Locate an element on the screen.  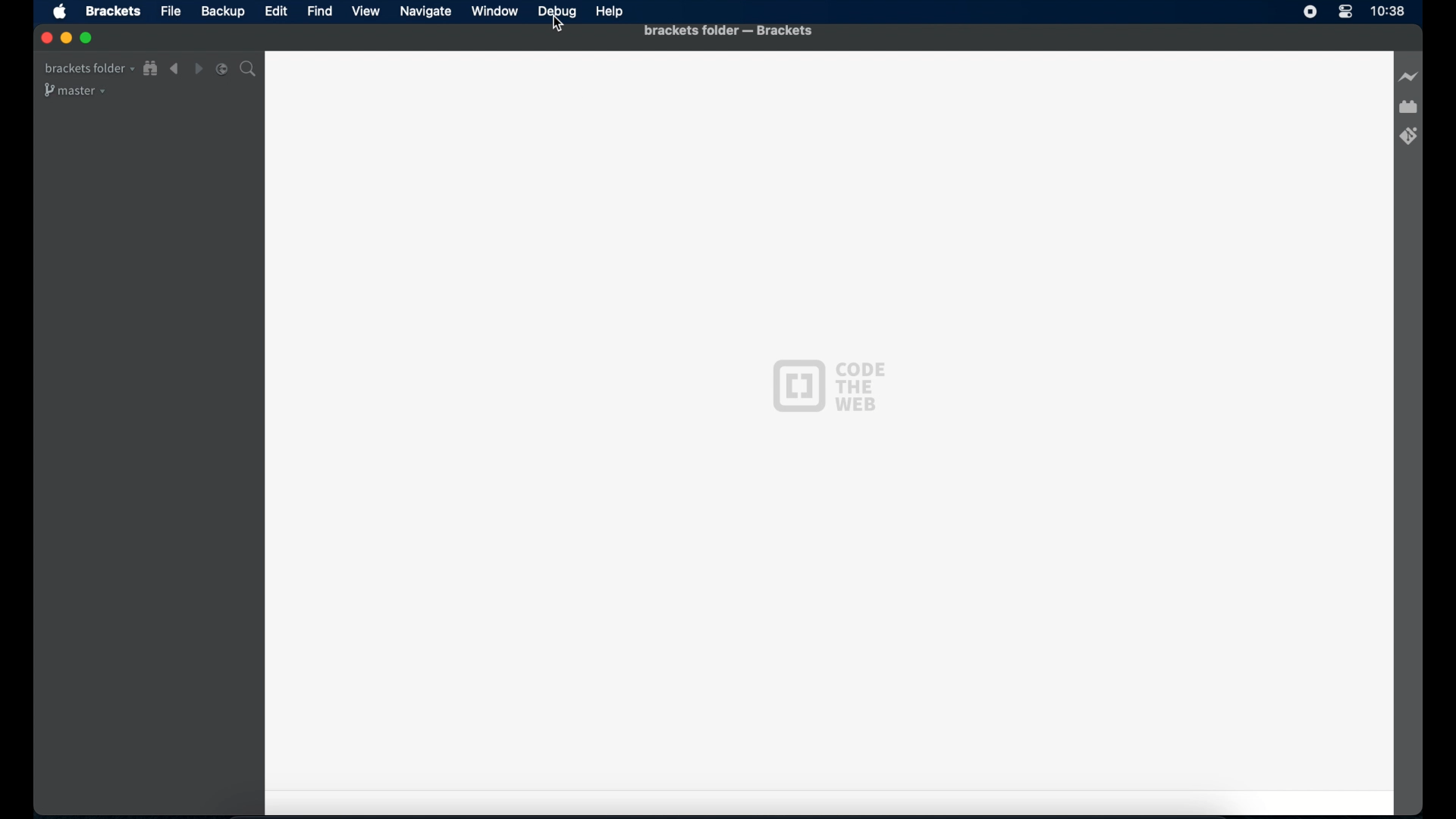
brackets is located at coordinates (114, 11).